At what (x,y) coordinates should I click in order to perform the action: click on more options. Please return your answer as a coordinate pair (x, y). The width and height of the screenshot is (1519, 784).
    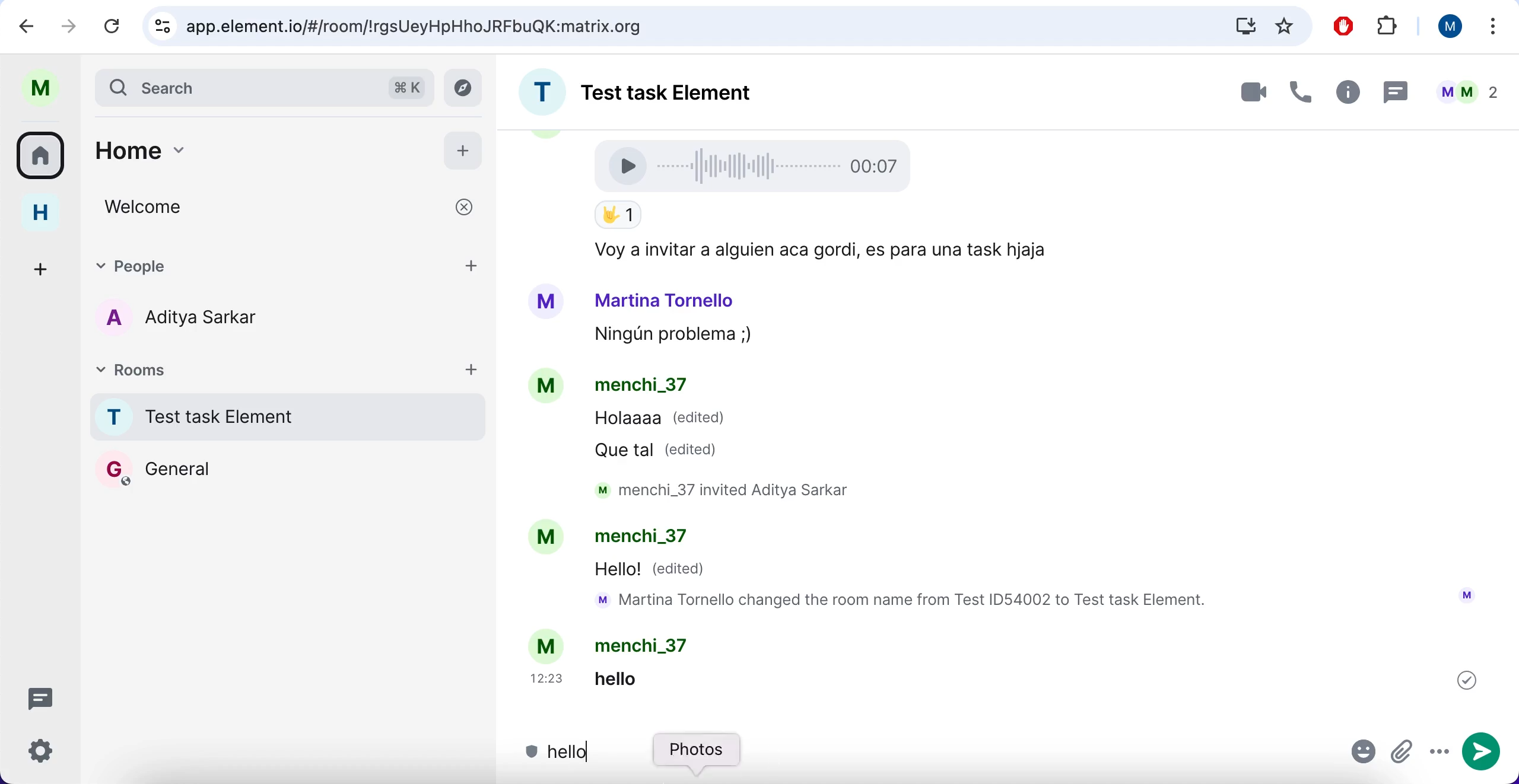
    Looking at the image, I should click on (1439, 753).